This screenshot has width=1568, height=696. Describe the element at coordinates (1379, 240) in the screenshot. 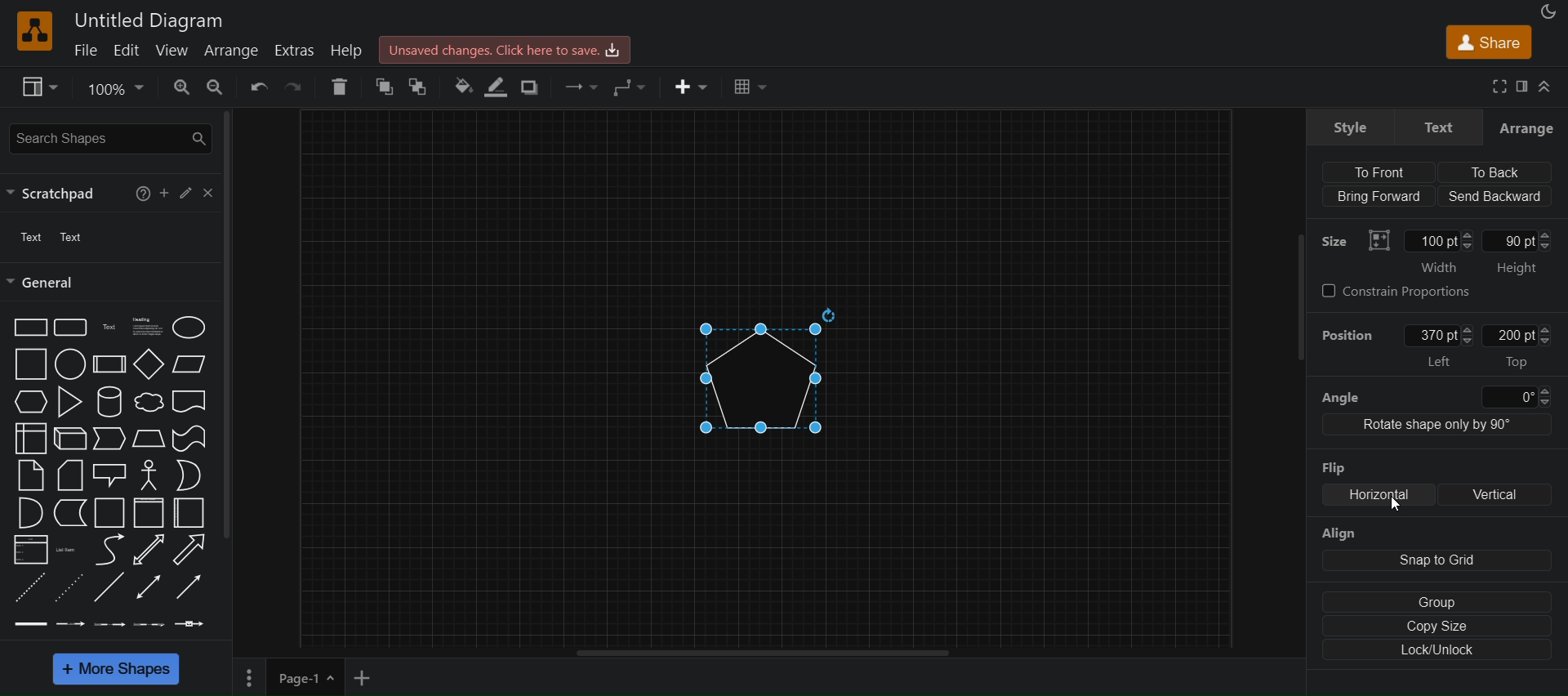

I see `Visual representation  of Size` at that location.